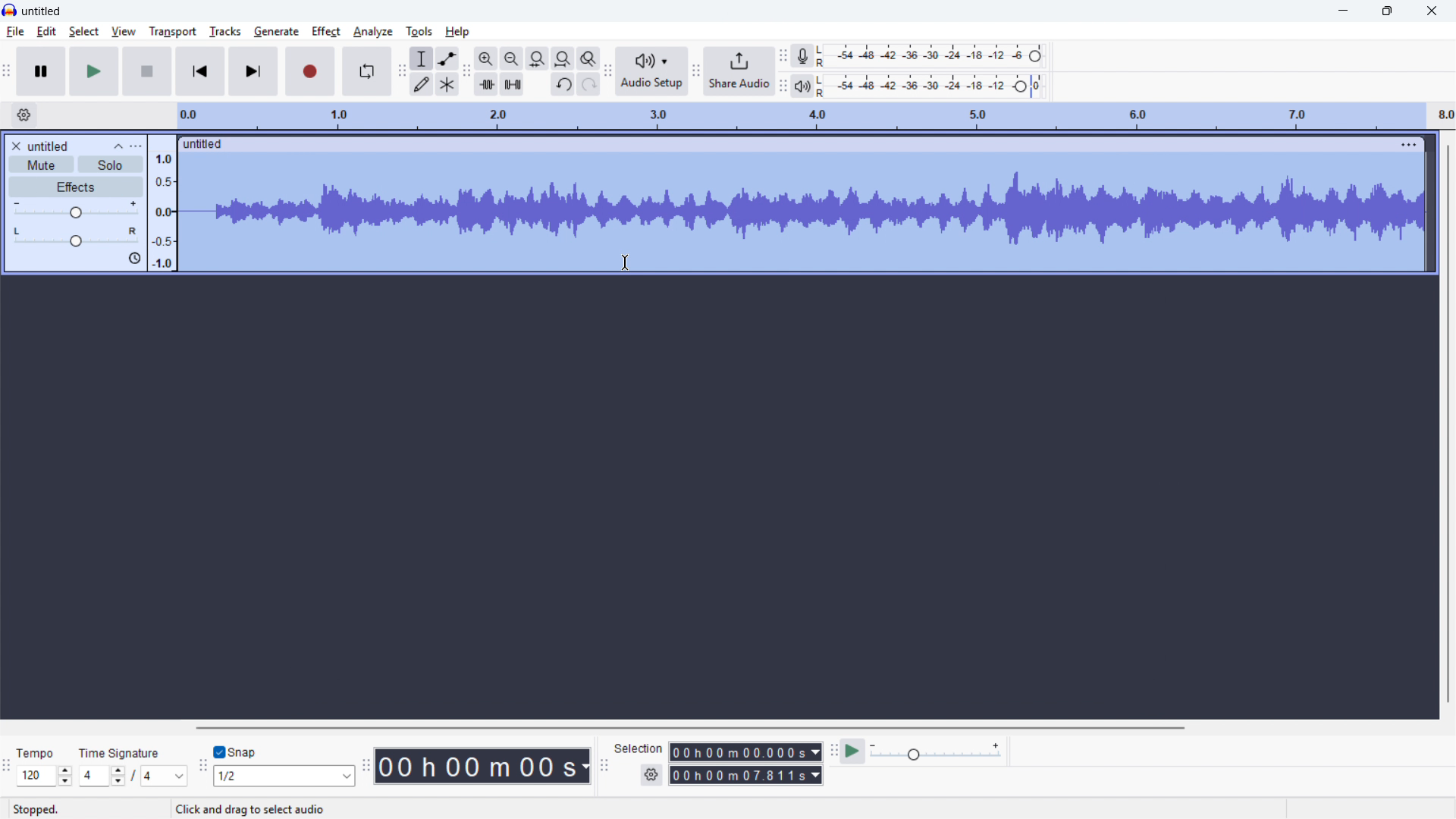  Describe the element at coordinates (747, 776) in the screenshot. I see `Selection end time ` at that location.